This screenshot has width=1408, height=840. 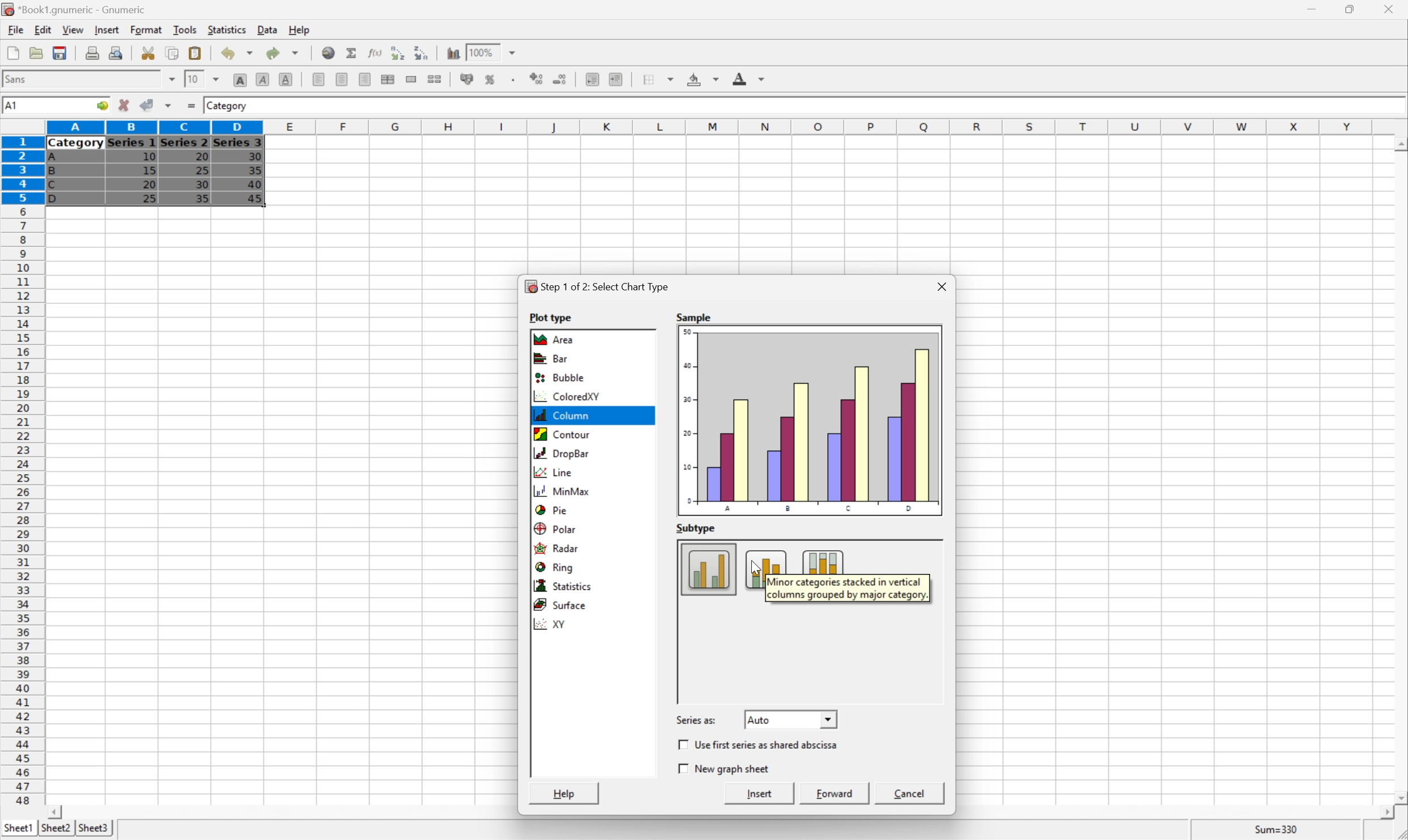 What do you see at coordinates (76, 9) in the screenshot?
I see `*Book1.gnumeric - Gnumeric` at bounding box center [76, 9].